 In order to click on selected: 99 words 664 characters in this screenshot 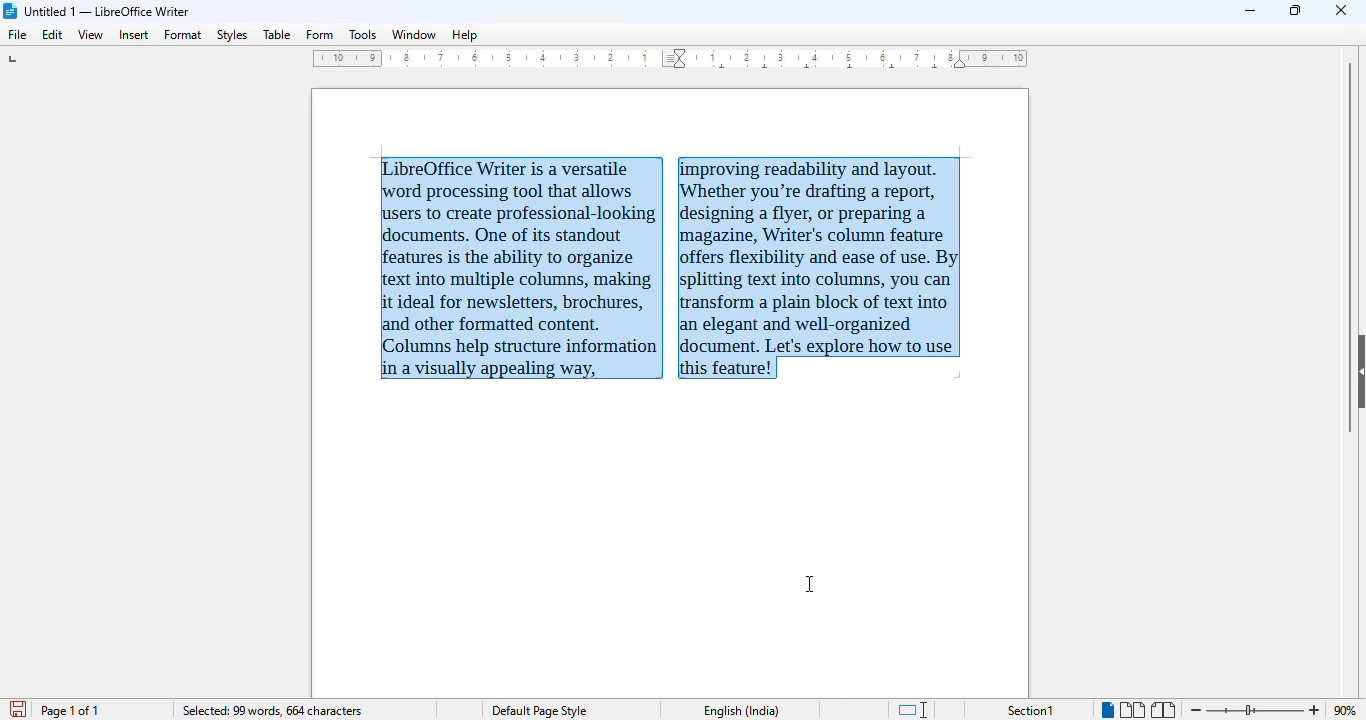, I will do `click(279, 710)`.